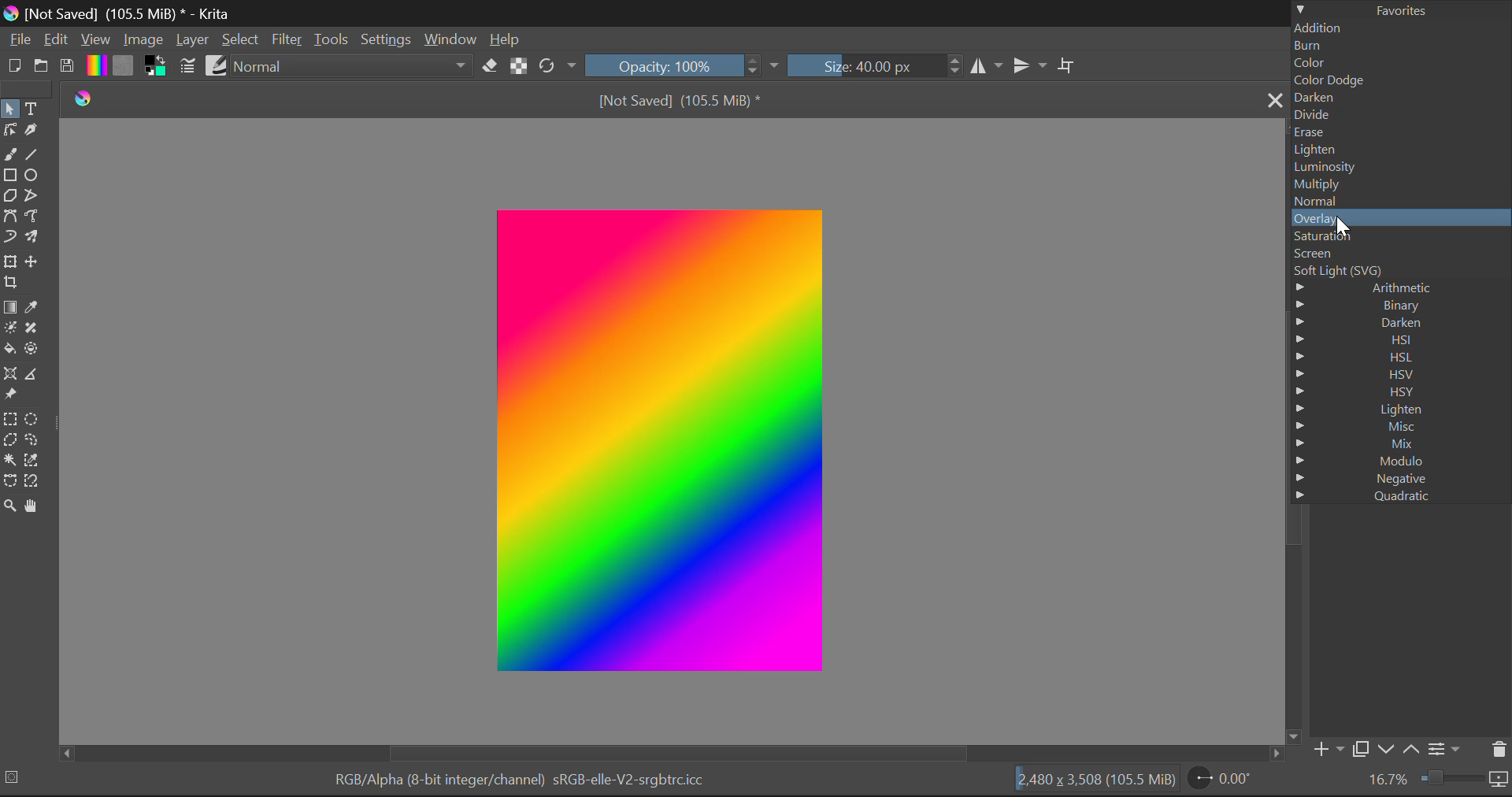 The height and width of the screenshot is (797, 1512). What do you see at coordinates (1272, 99) in the screenshot?
I see `Close` at bounding box center [1272, 99].